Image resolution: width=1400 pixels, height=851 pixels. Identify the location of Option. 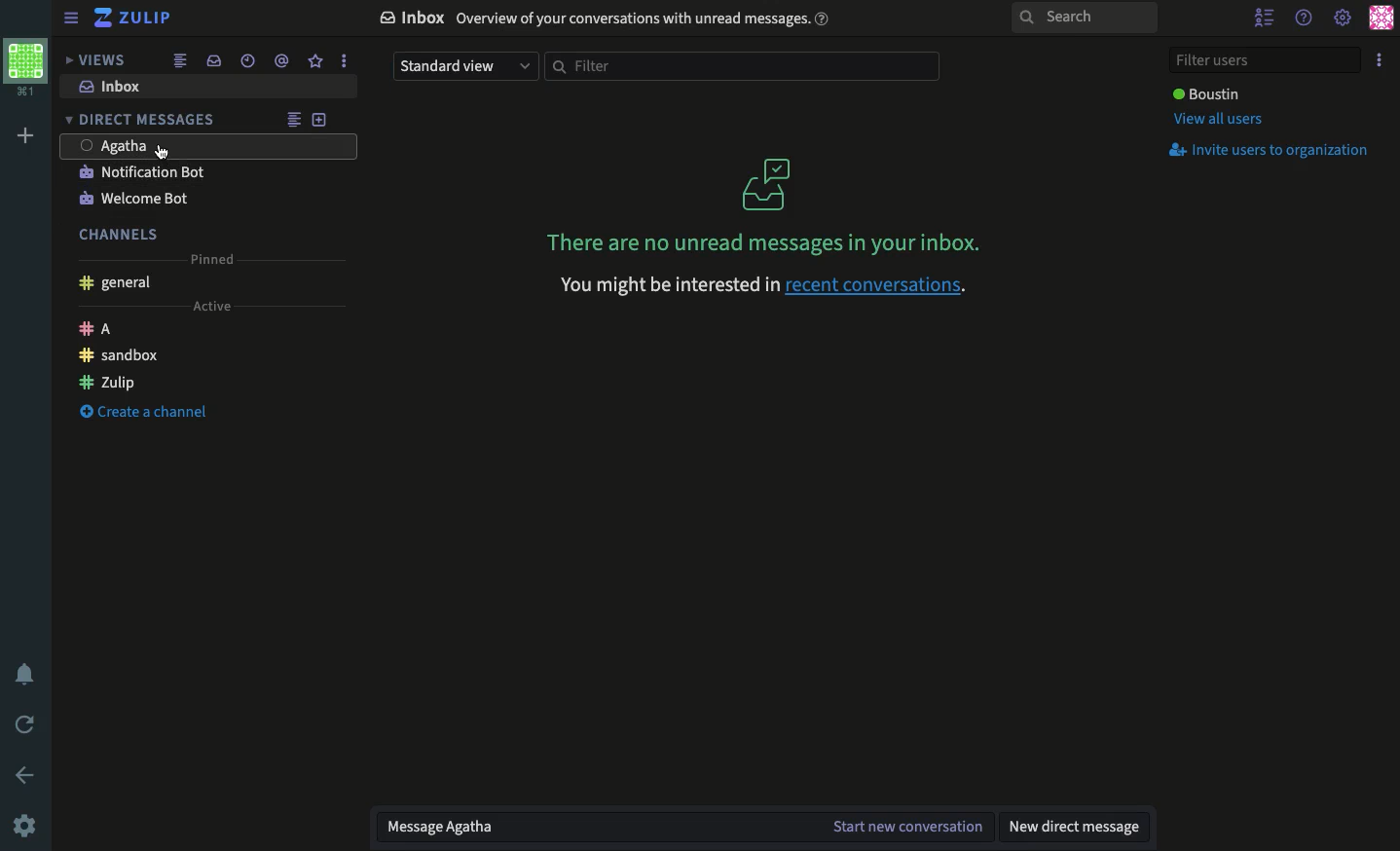
(1380, 59).